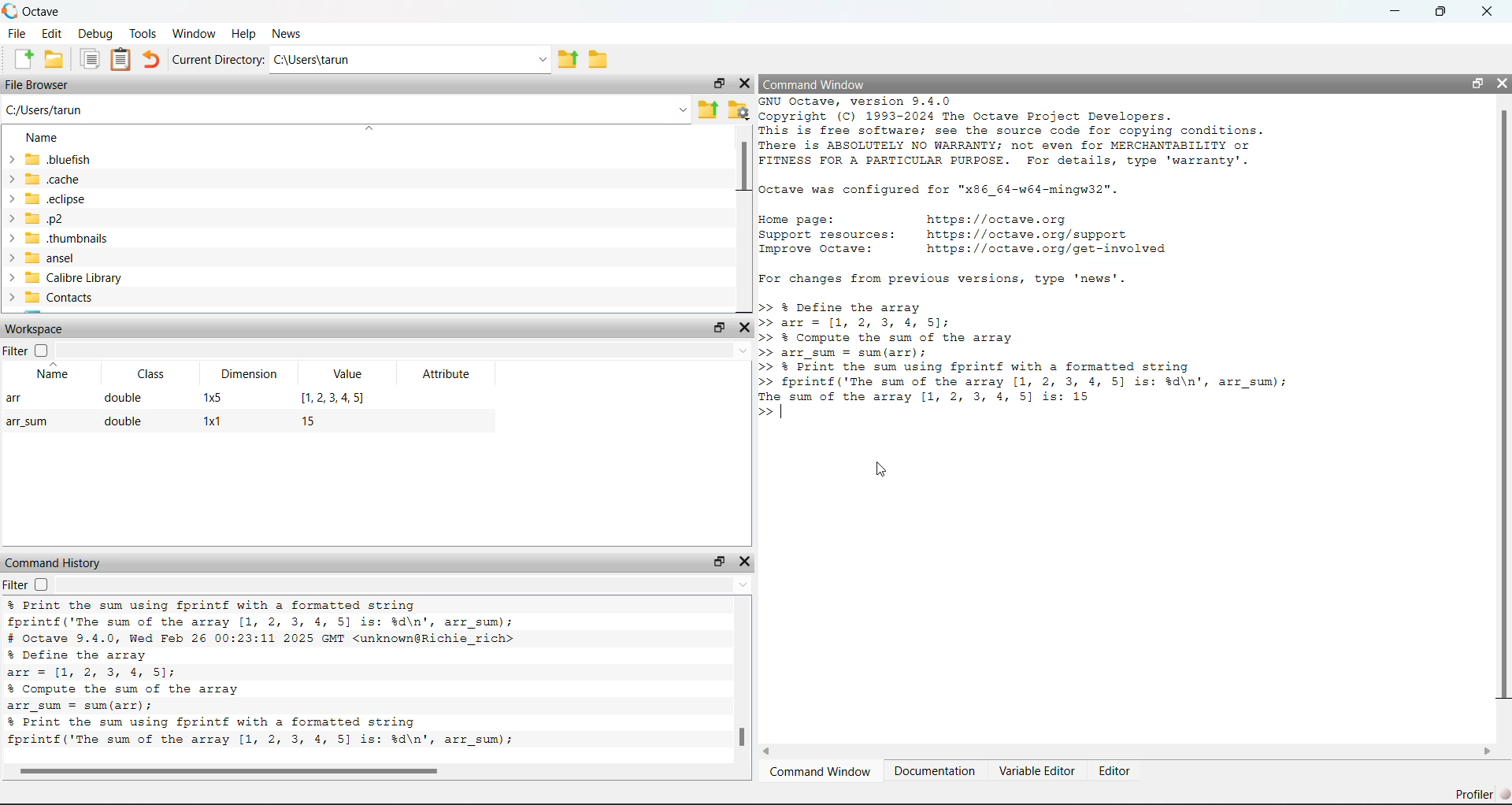 The width and height of the screenshot is (1512, 805). I want to click on p2, so click(50, 220).